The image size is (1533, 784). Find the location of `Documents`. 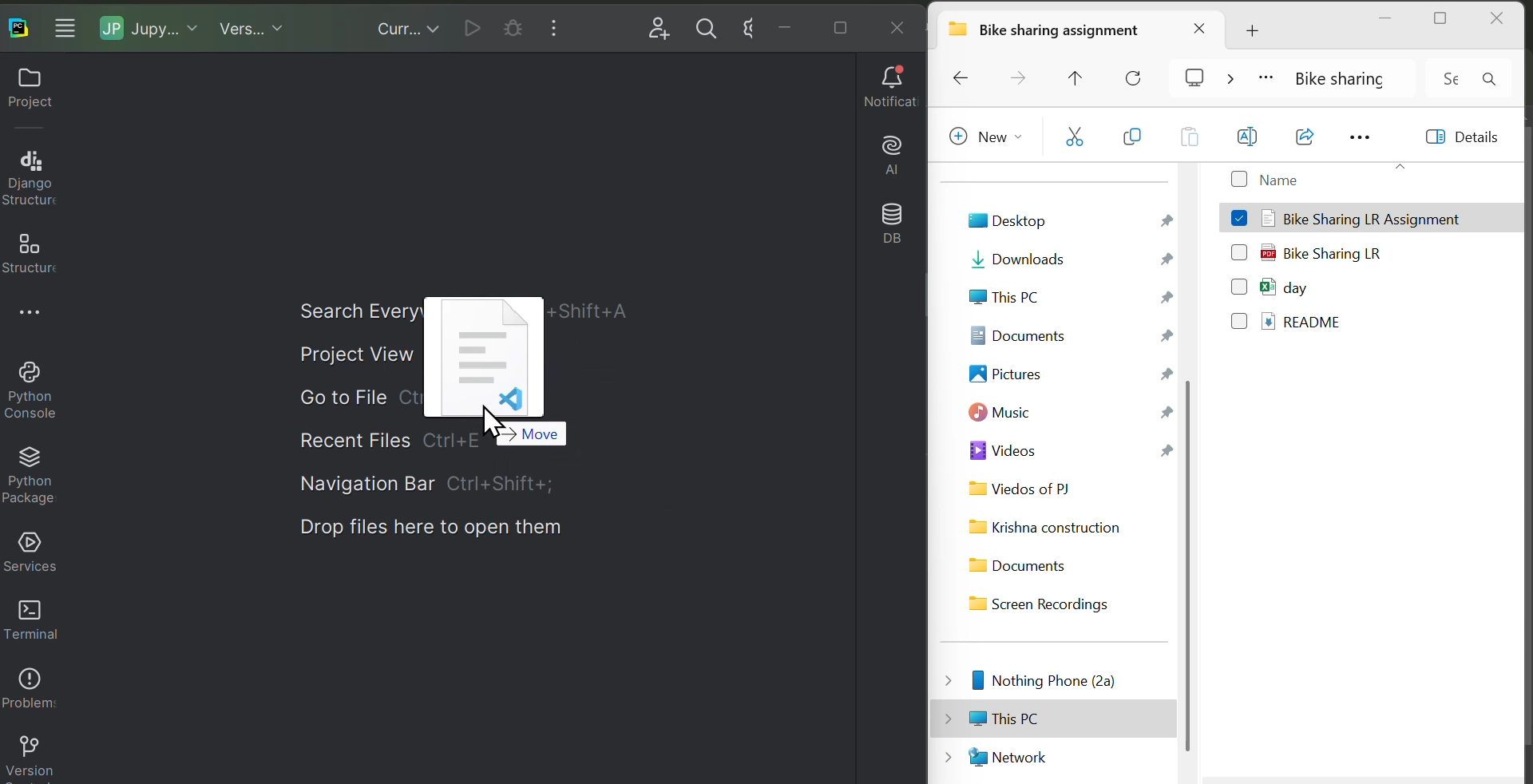

Documents is located at coordinates (1070, 331).